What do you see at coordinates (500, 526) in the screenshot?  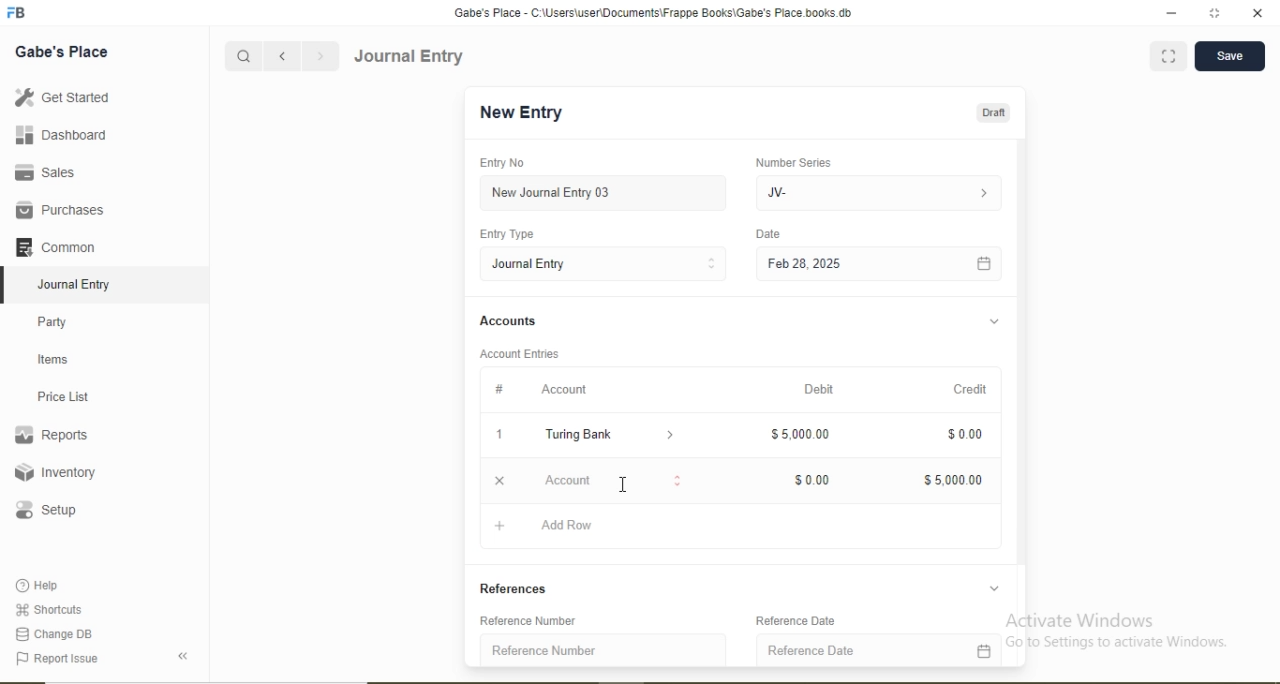 I see `Add` at bounding box center [500, 526].